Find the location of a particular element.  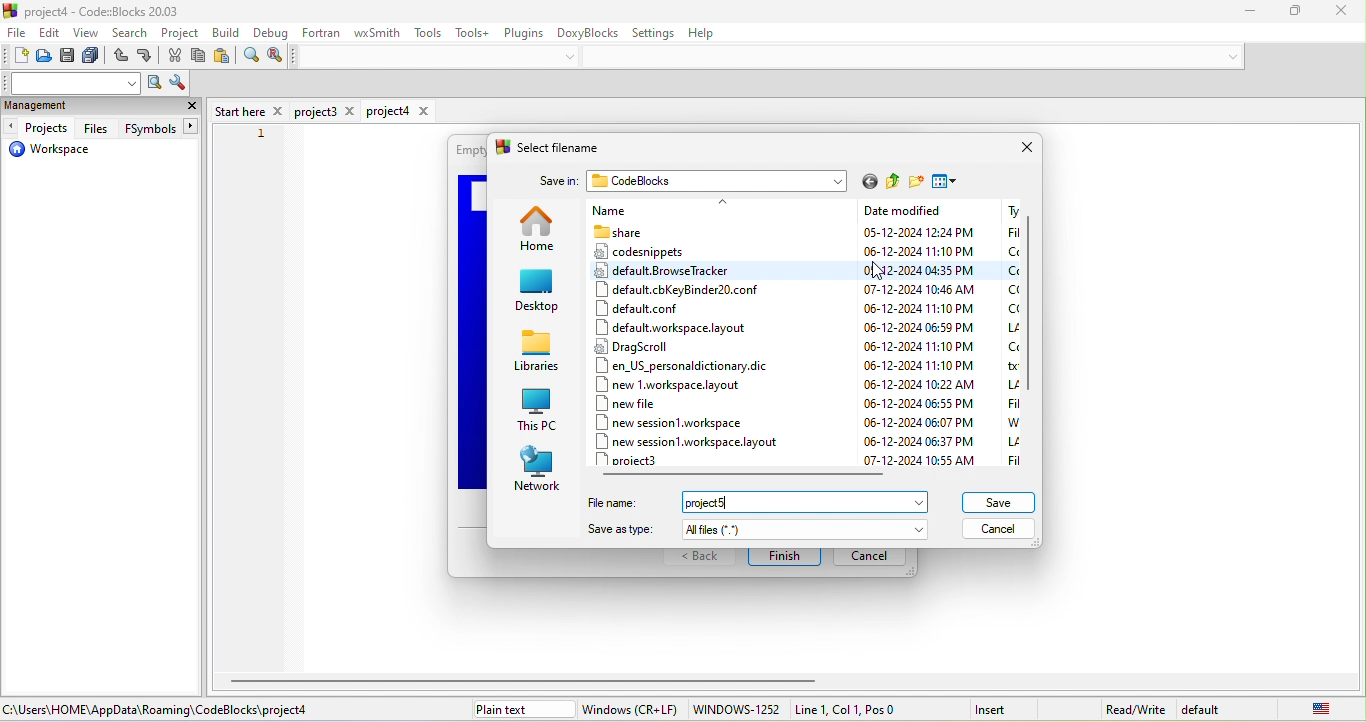

text to search is located at coordinates (73, 83).